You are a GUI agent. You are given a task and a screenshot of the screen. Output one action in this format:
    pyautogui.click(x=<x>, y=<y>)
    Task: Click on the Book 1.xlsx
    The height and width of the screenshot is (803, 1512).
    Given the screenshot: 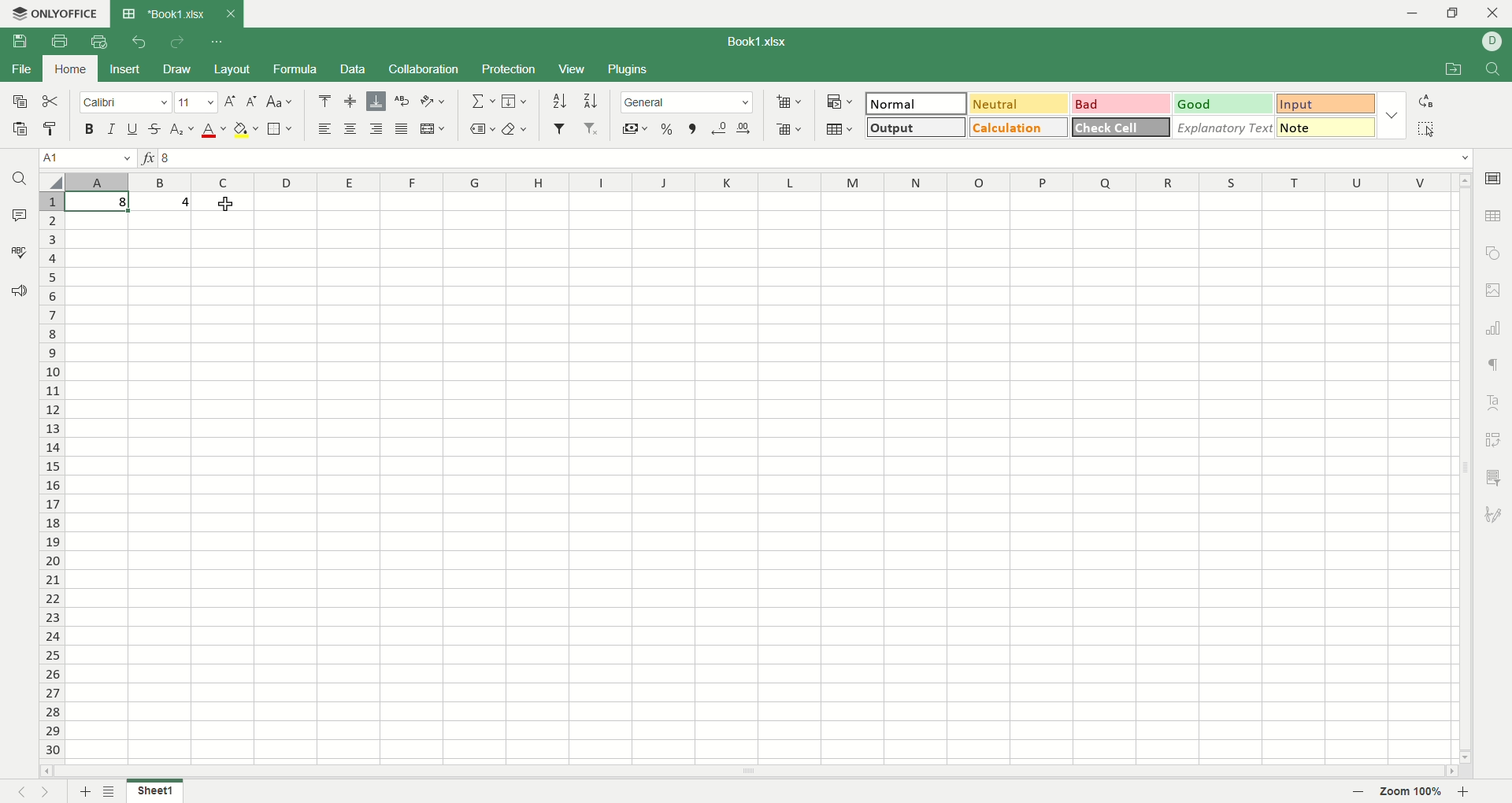 What is the action you would take?
    pyautogui.click(x=161, y=13)
    